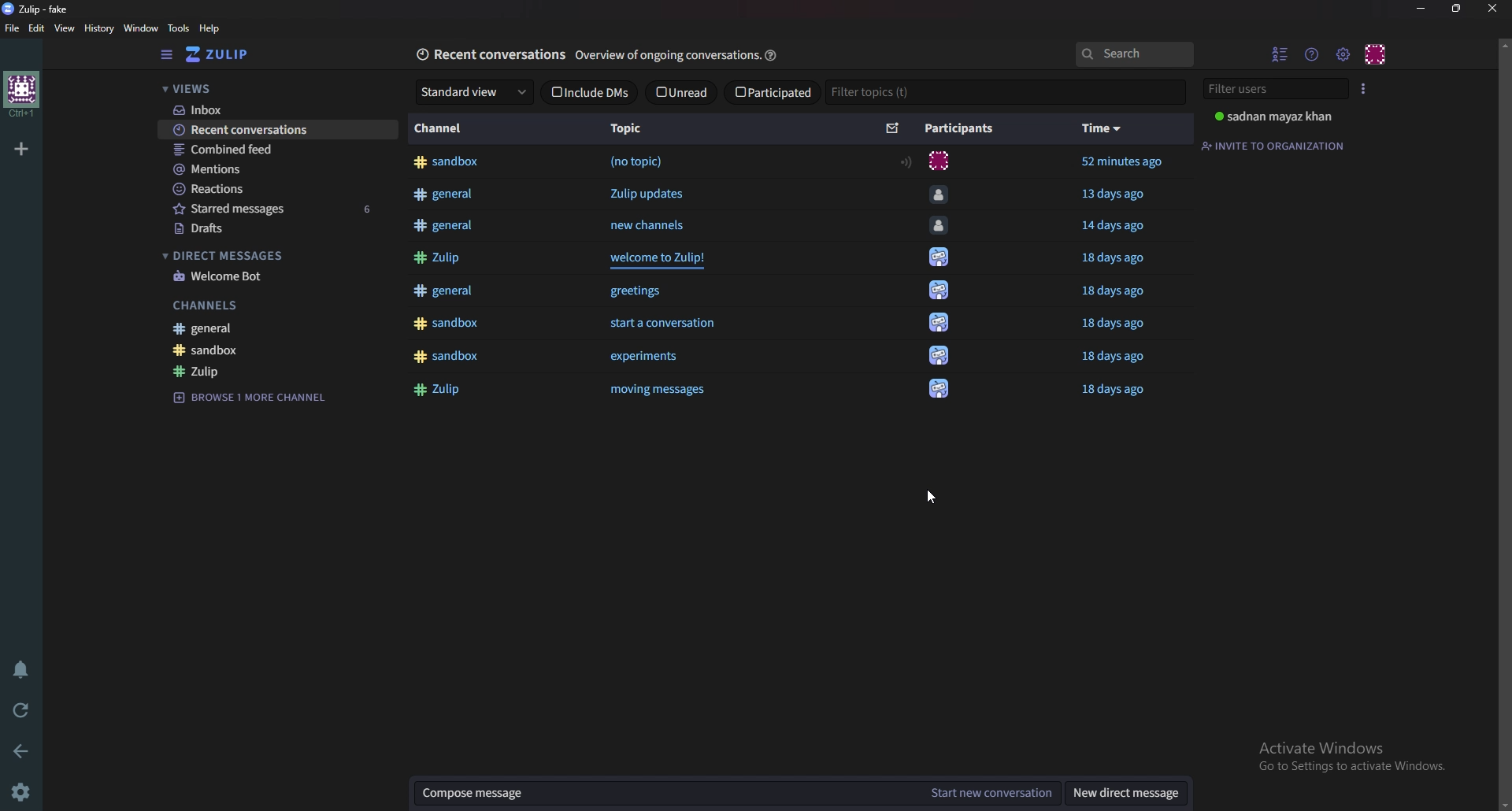 The width and height of the screenshot is (1512, 811). I want to click on Include dms, so click(587, 91).